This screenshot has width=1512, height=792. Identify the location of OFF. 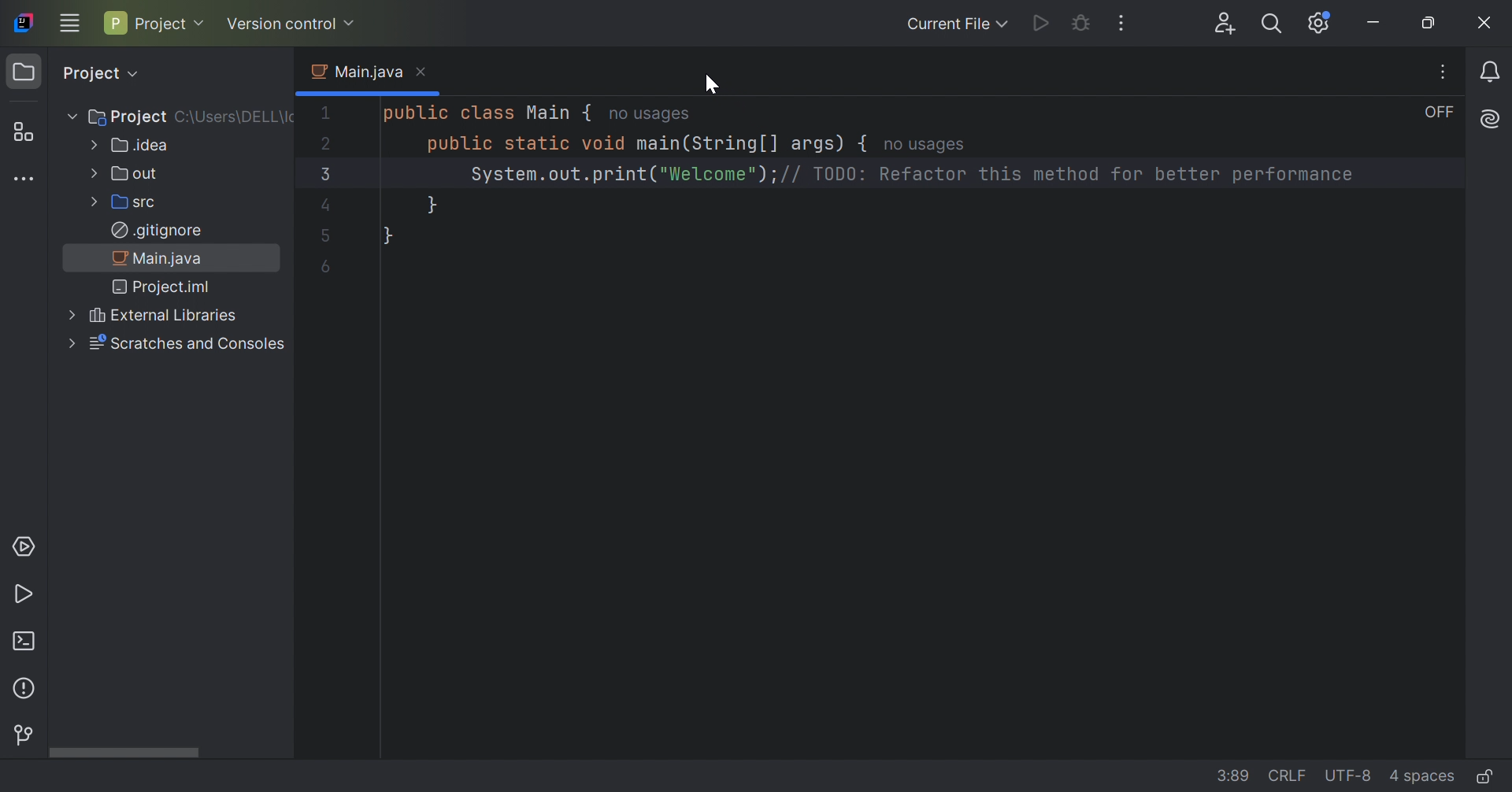
(1440, 113).